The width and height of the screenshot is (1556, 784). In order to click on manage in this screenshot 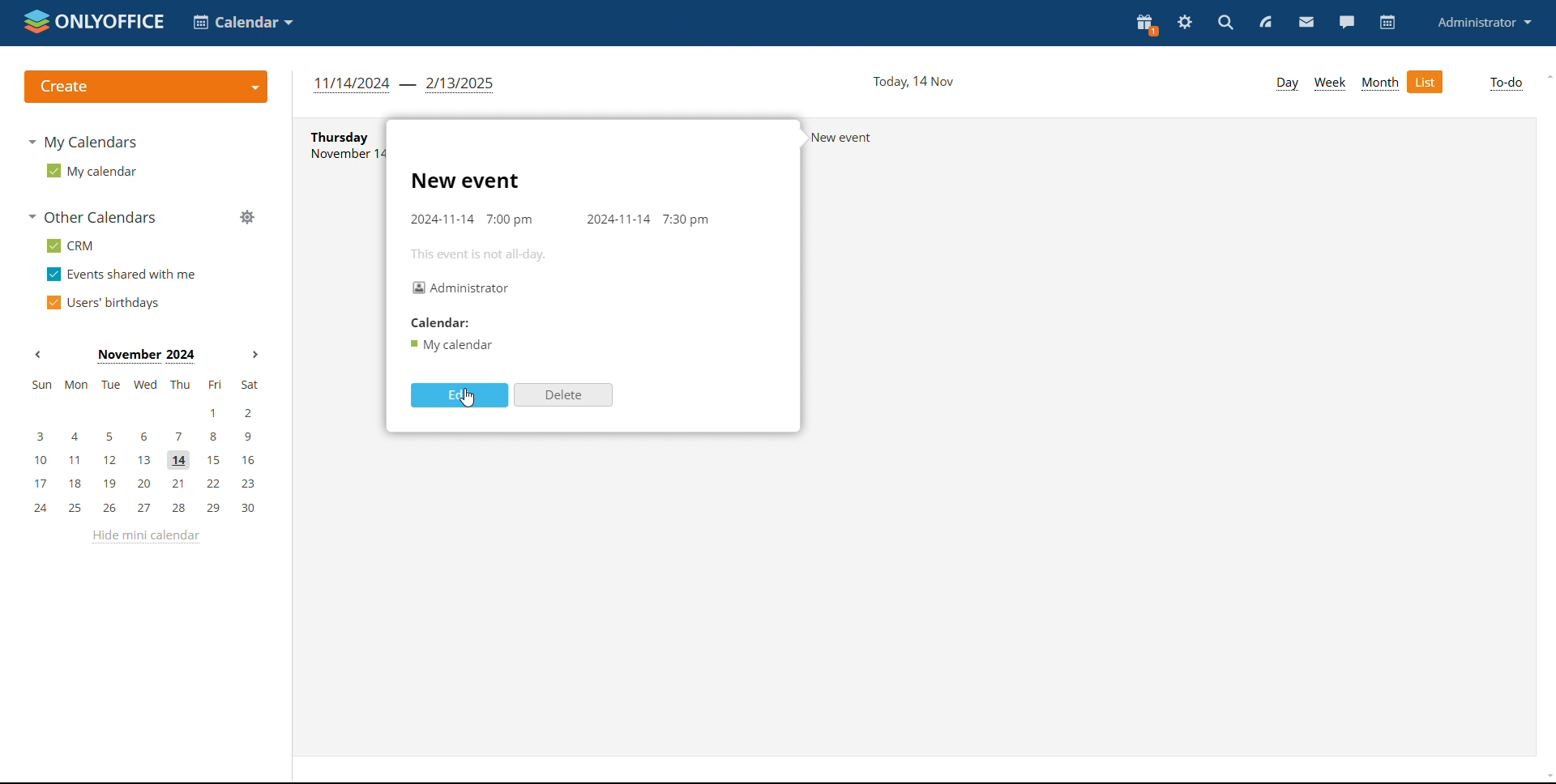, I will do `click(247, 219)`.